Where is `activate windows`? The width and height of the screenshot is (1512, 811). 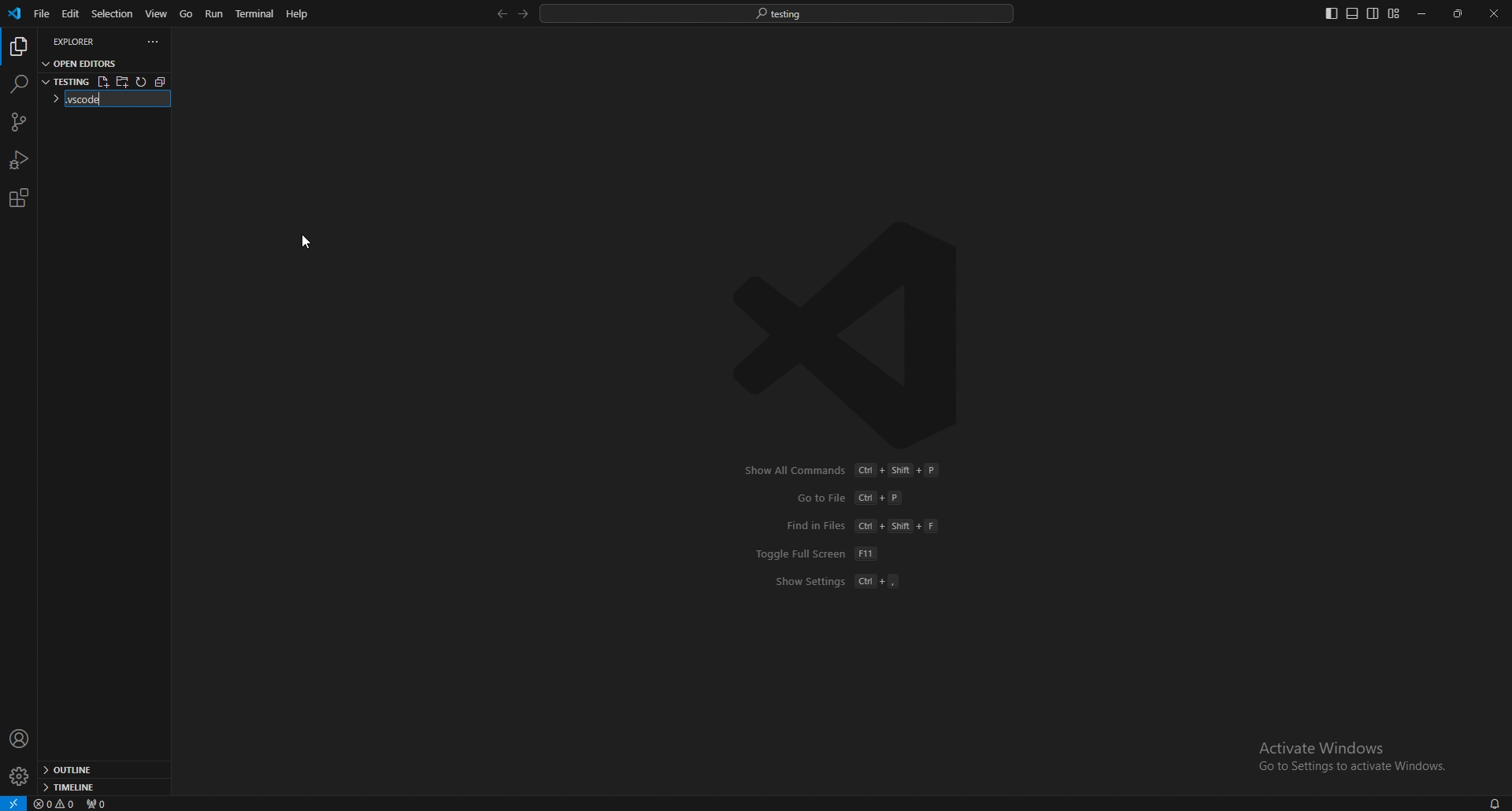
activate windows is located at coordinates (1347, 749).